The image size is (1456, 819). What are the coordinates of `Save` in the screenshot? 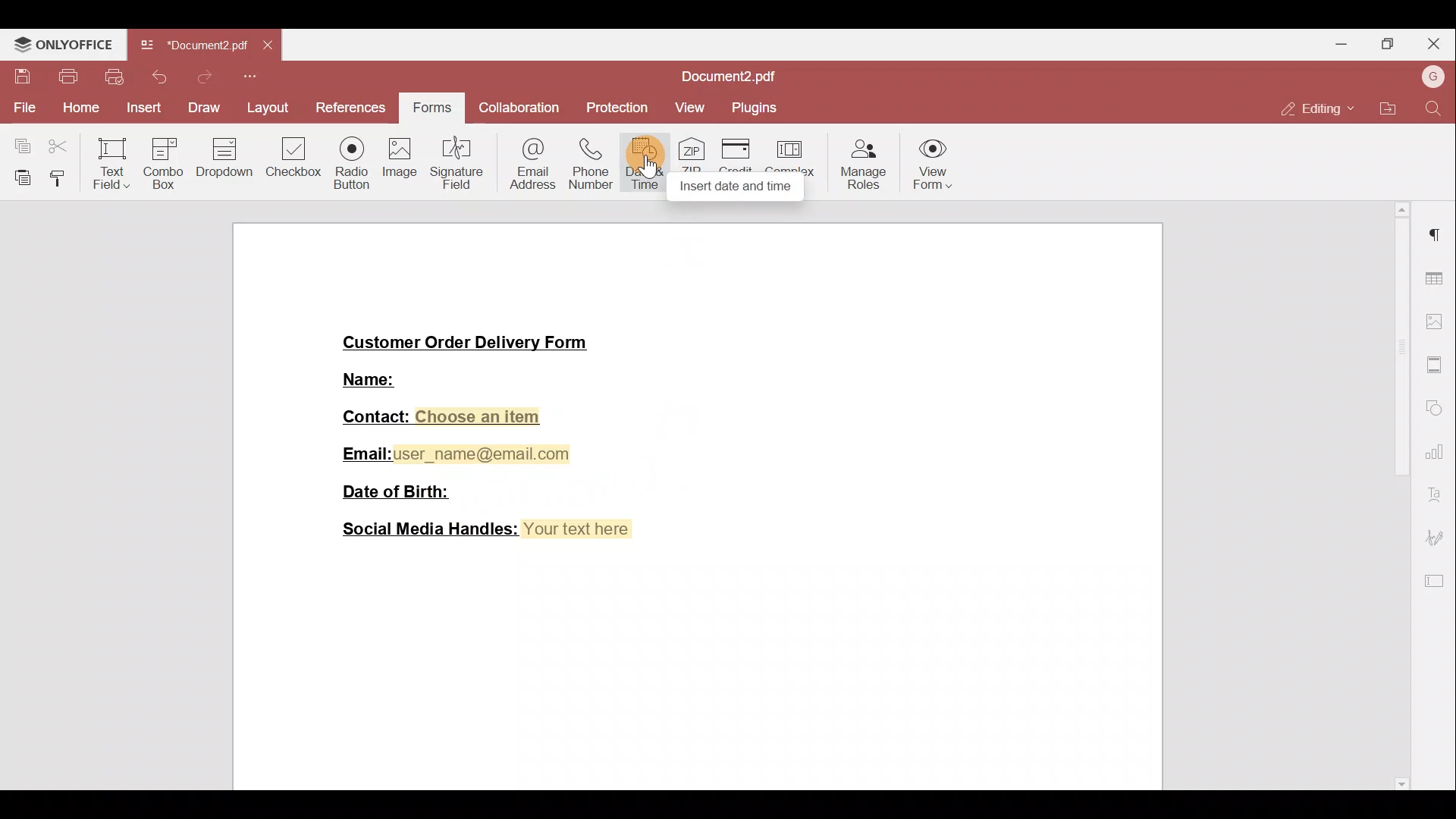 It's located at (18, 74).